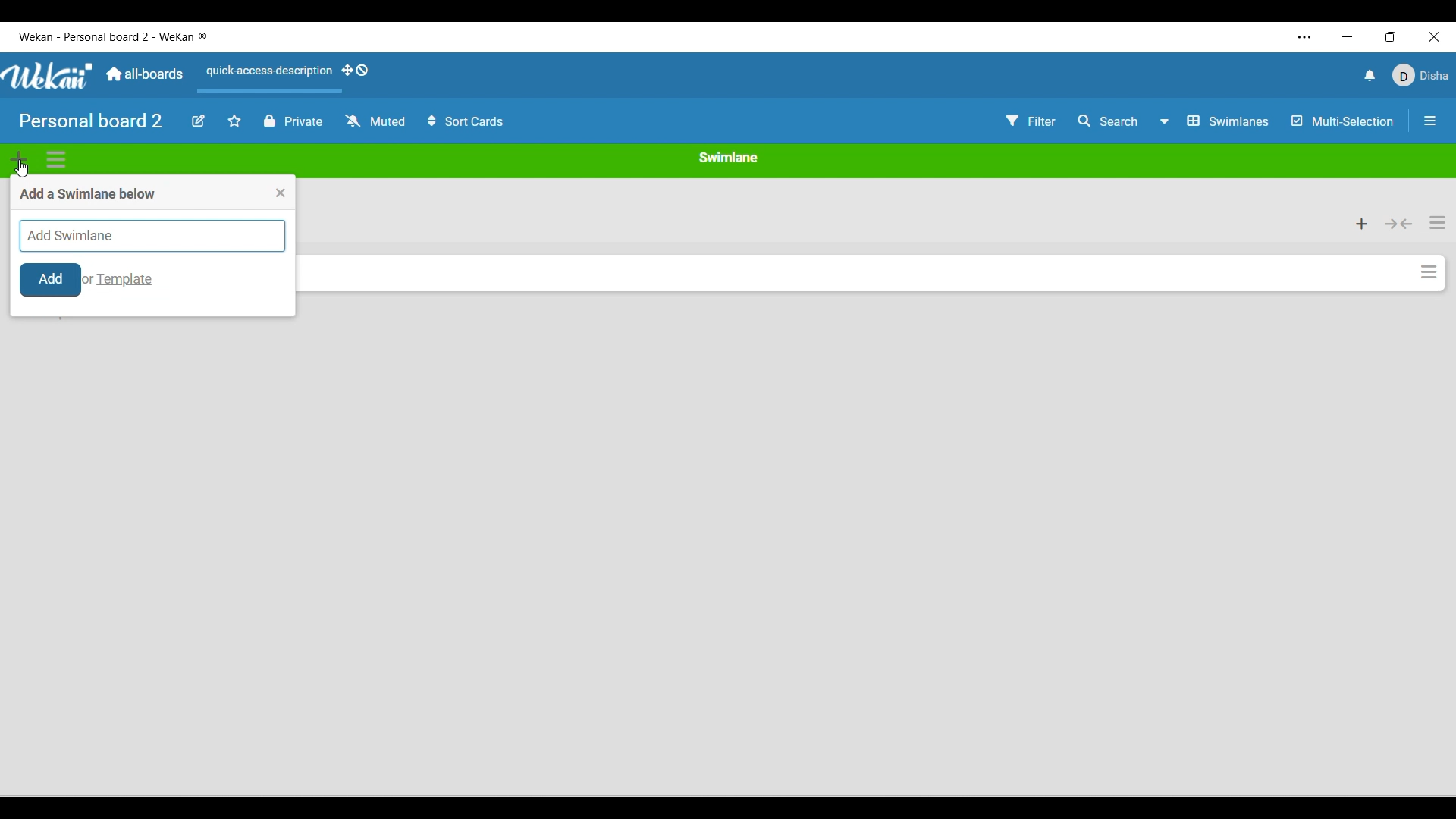  I want to click on Software logo, so click(49, 76).